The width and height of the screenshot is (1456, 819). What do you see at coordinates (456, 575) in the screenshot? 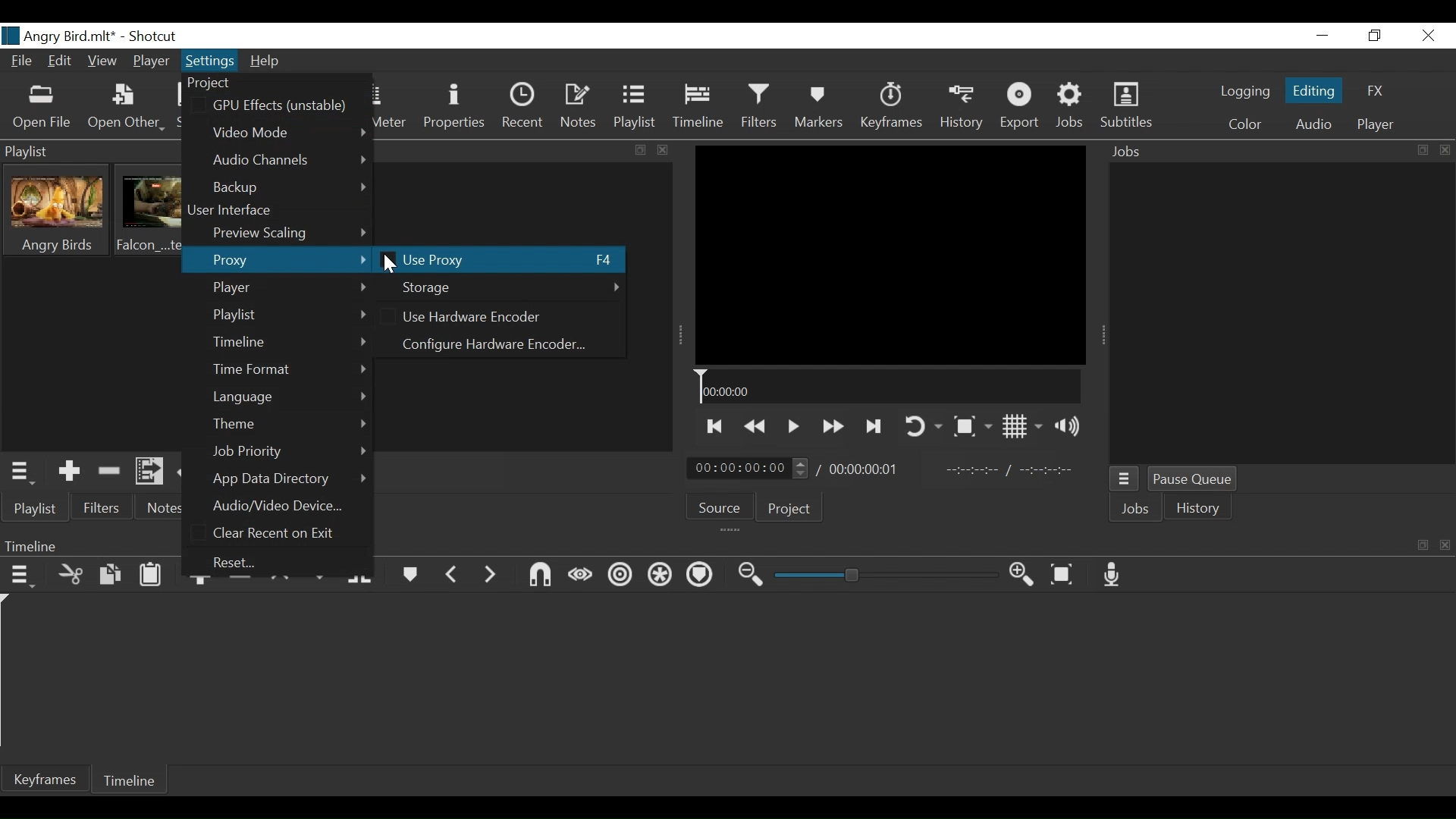
I see `Previous marker` at bounding box center [456, 575].